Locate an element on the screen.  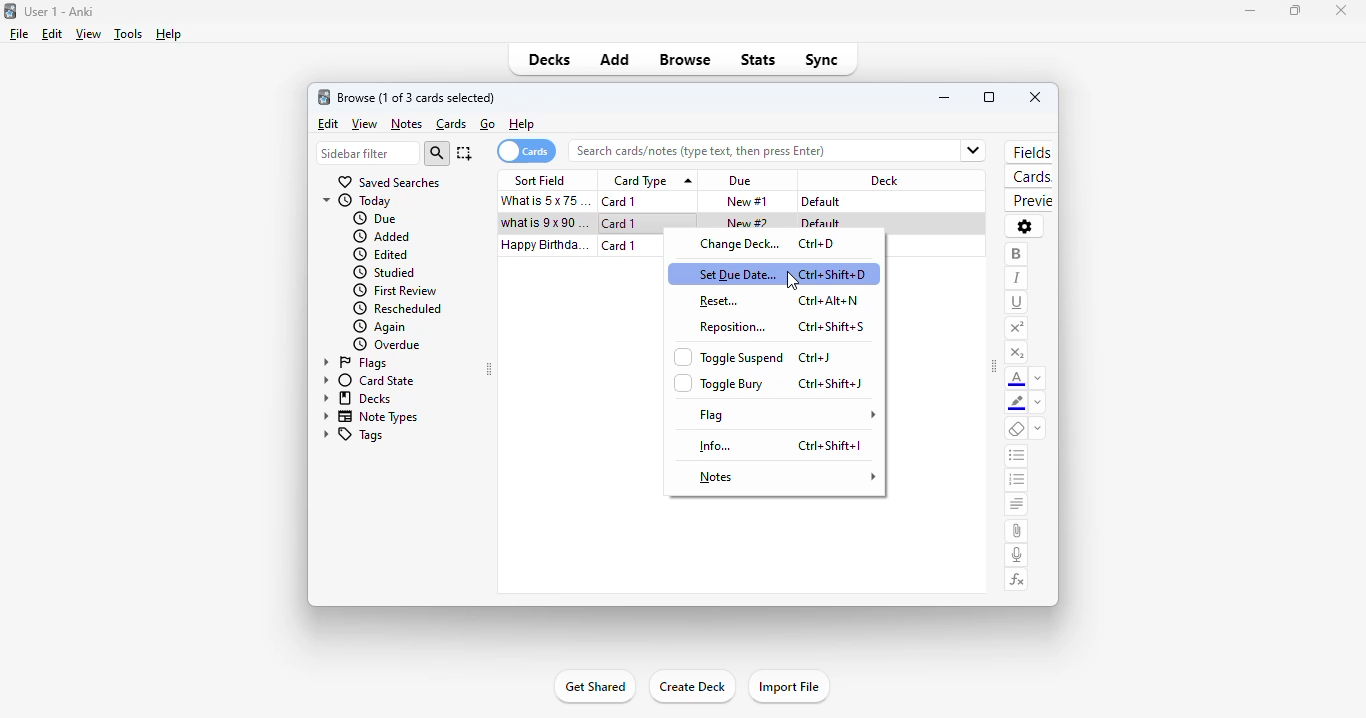
what is 9x90=? is located at coordinates (544, 222).